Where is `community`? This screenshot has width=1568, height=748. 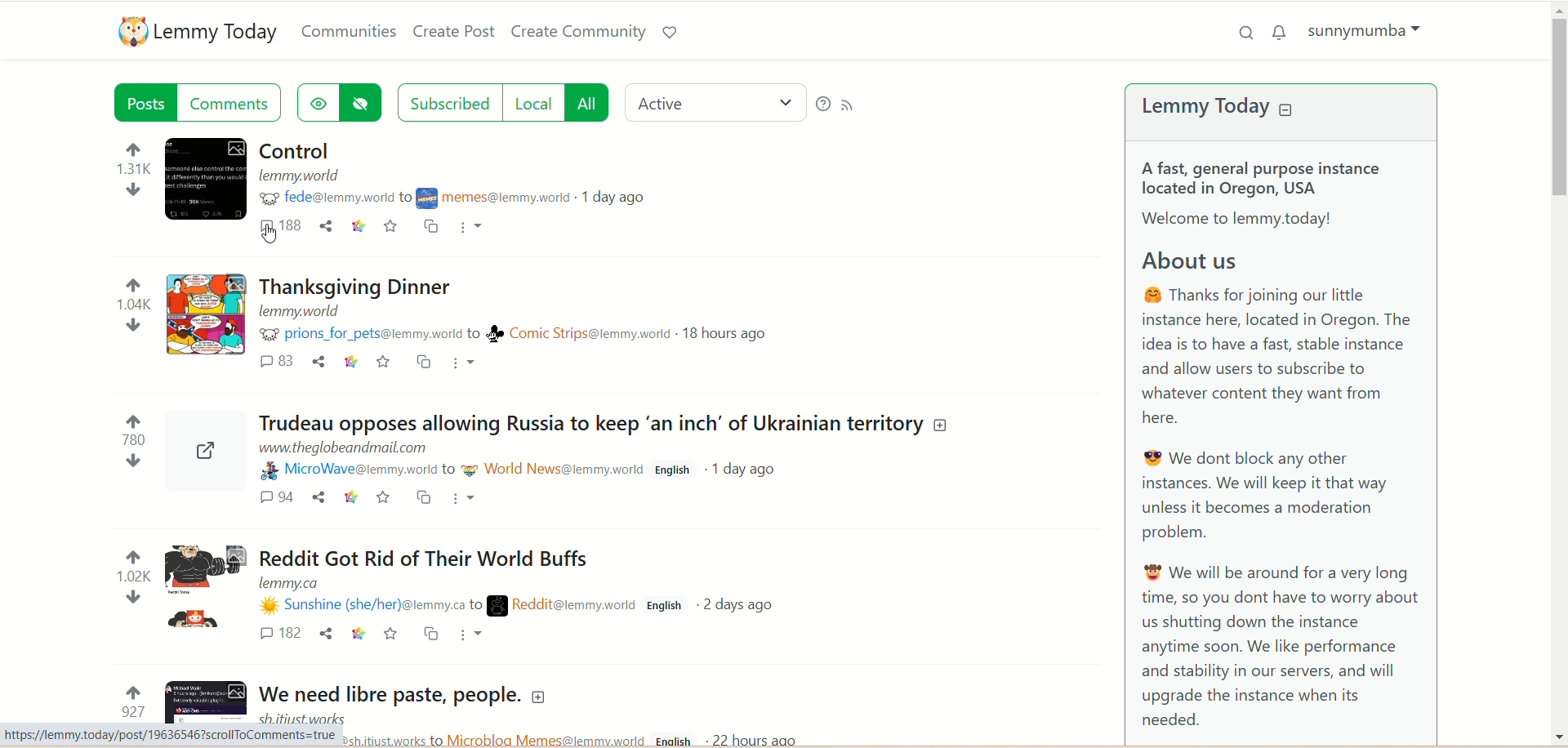 community is located at coordinates (556, 470).